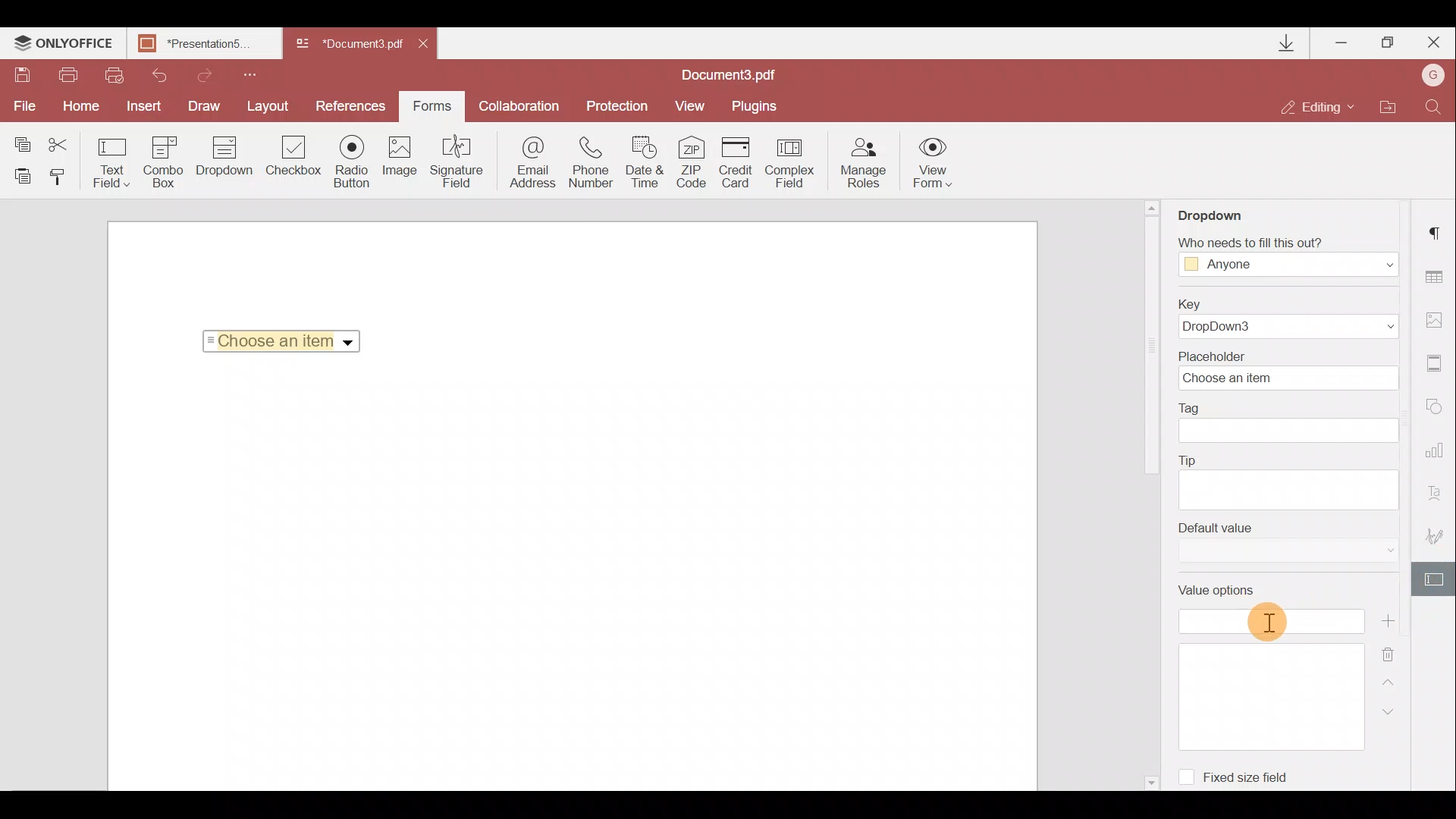  Describe the element at coordinates (64, 45) in the screenshot. I see `ONLYOFFICE` at that location.